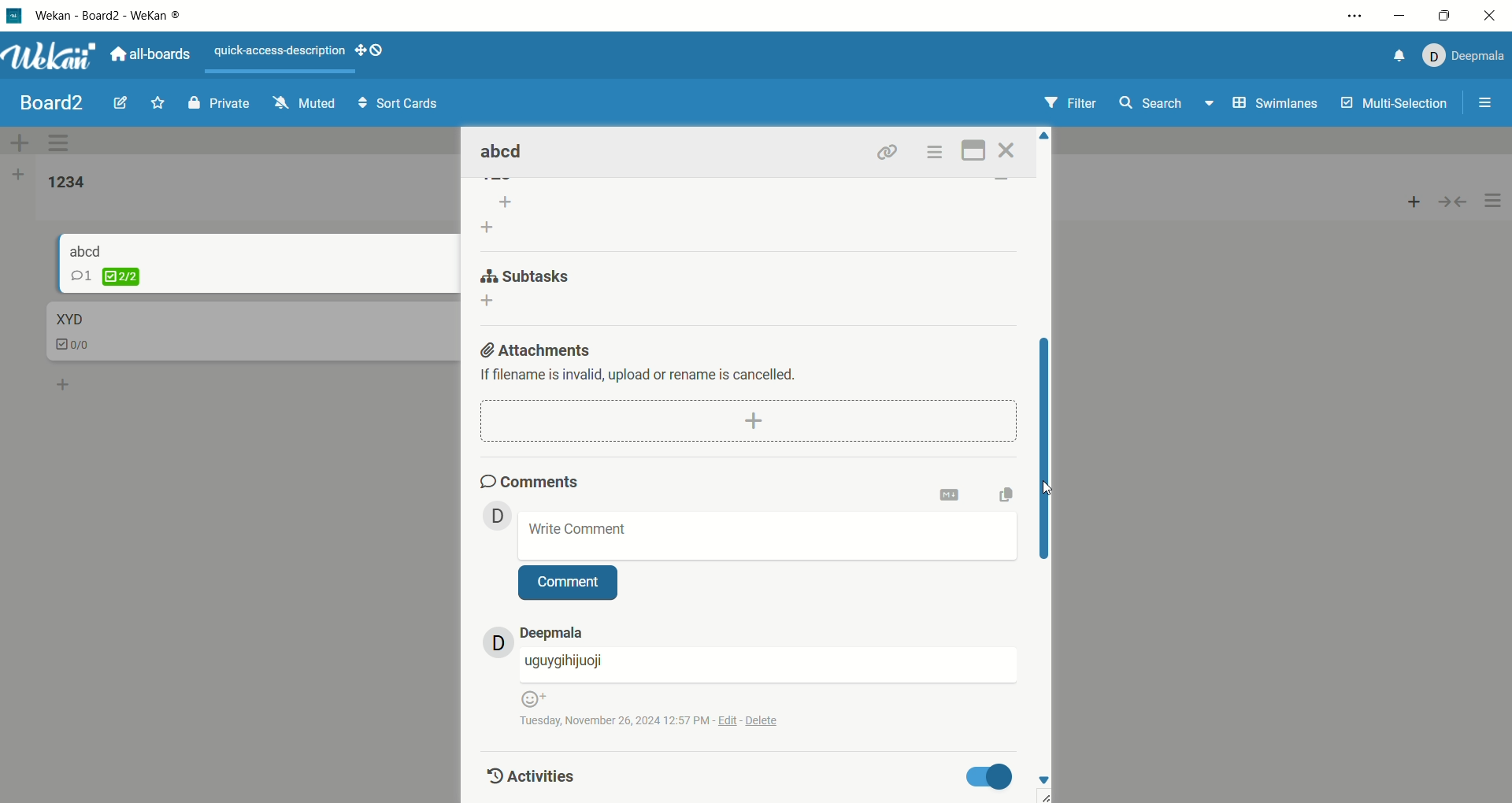  What do you see at coordinates (68, 320) in the screenshot?
I see `card title` at bounding box center [68, 320].